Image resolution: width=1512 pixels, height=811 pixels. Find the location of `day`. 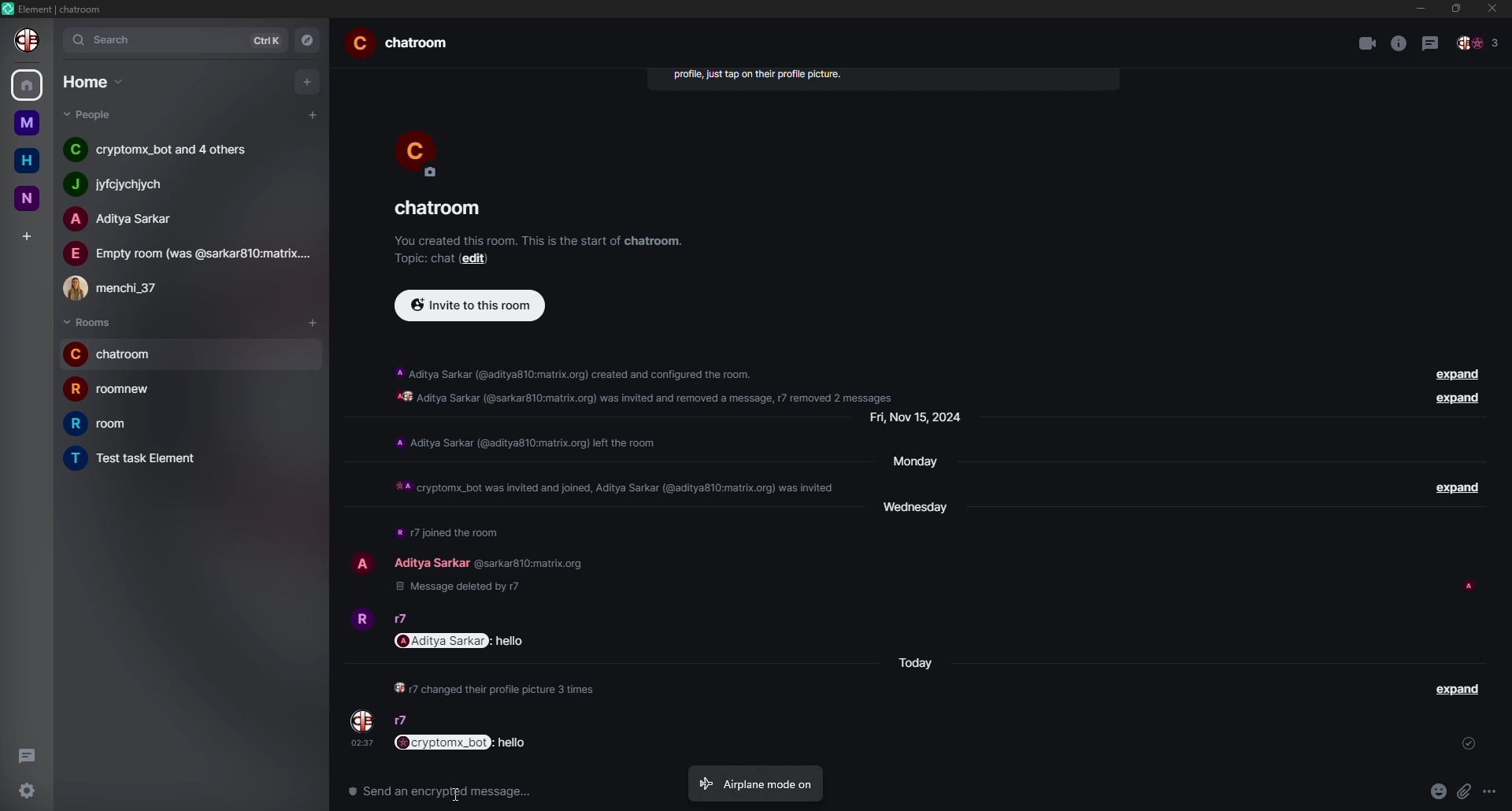

day is located at coordinates (920, 511).